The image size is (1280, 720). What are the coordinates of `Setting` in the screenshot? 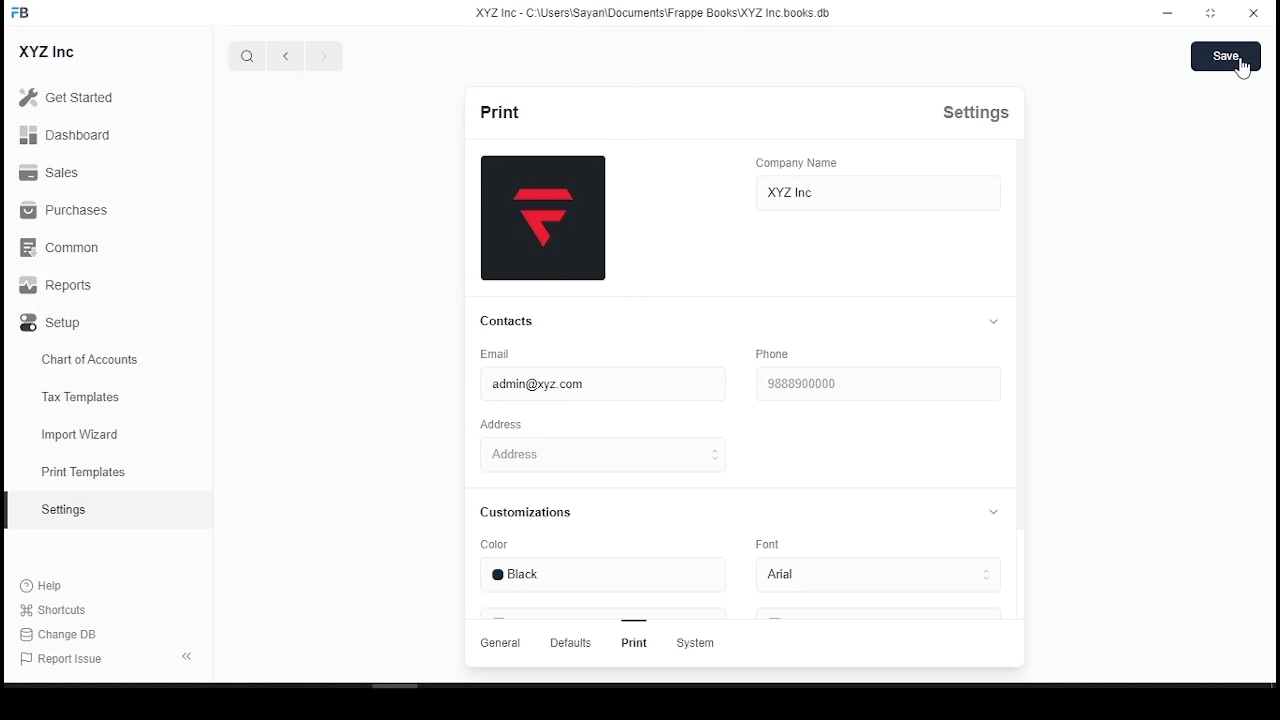 It's located at (63, 509).